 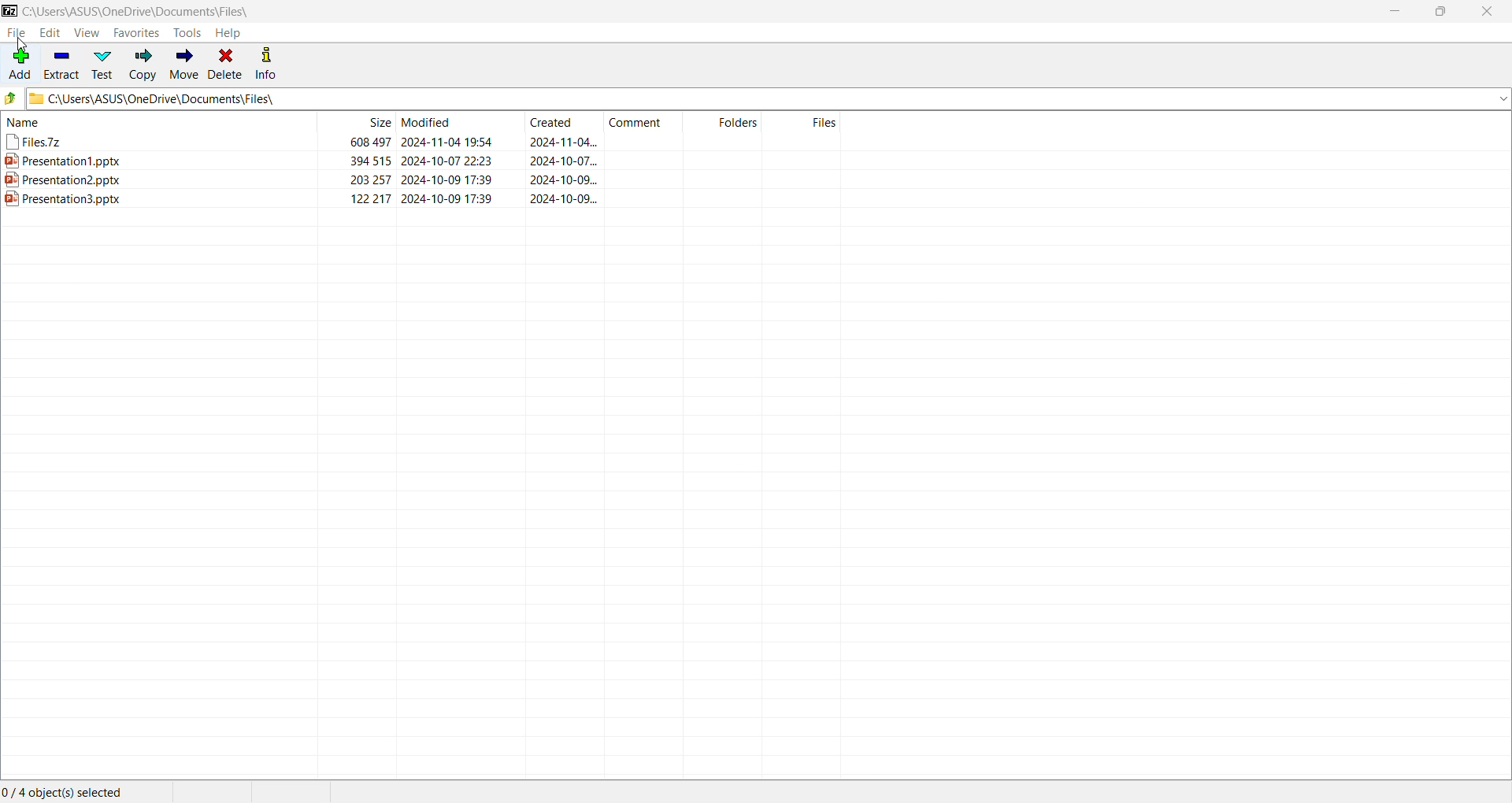 I want to click on Current Folder Path, so click(x=737, y=97).